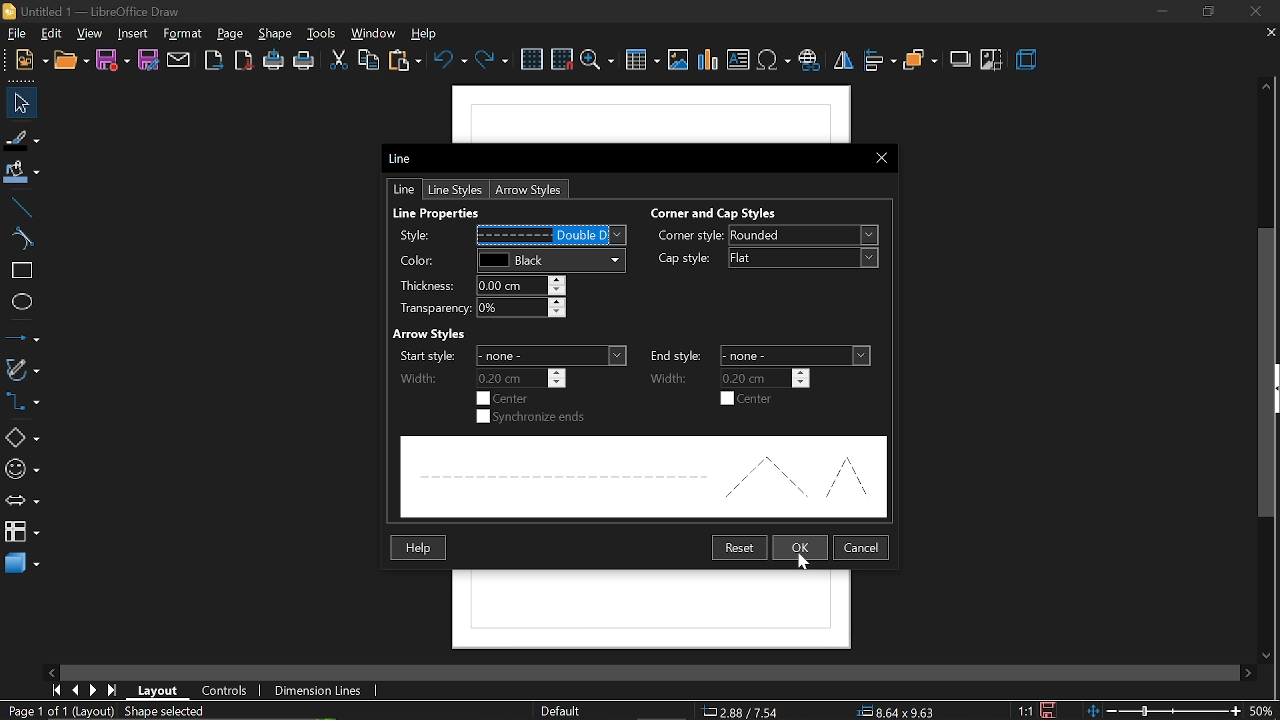 The width and height of the screenshot is (1280, 720). I want to click on restart, so click(738, 547).